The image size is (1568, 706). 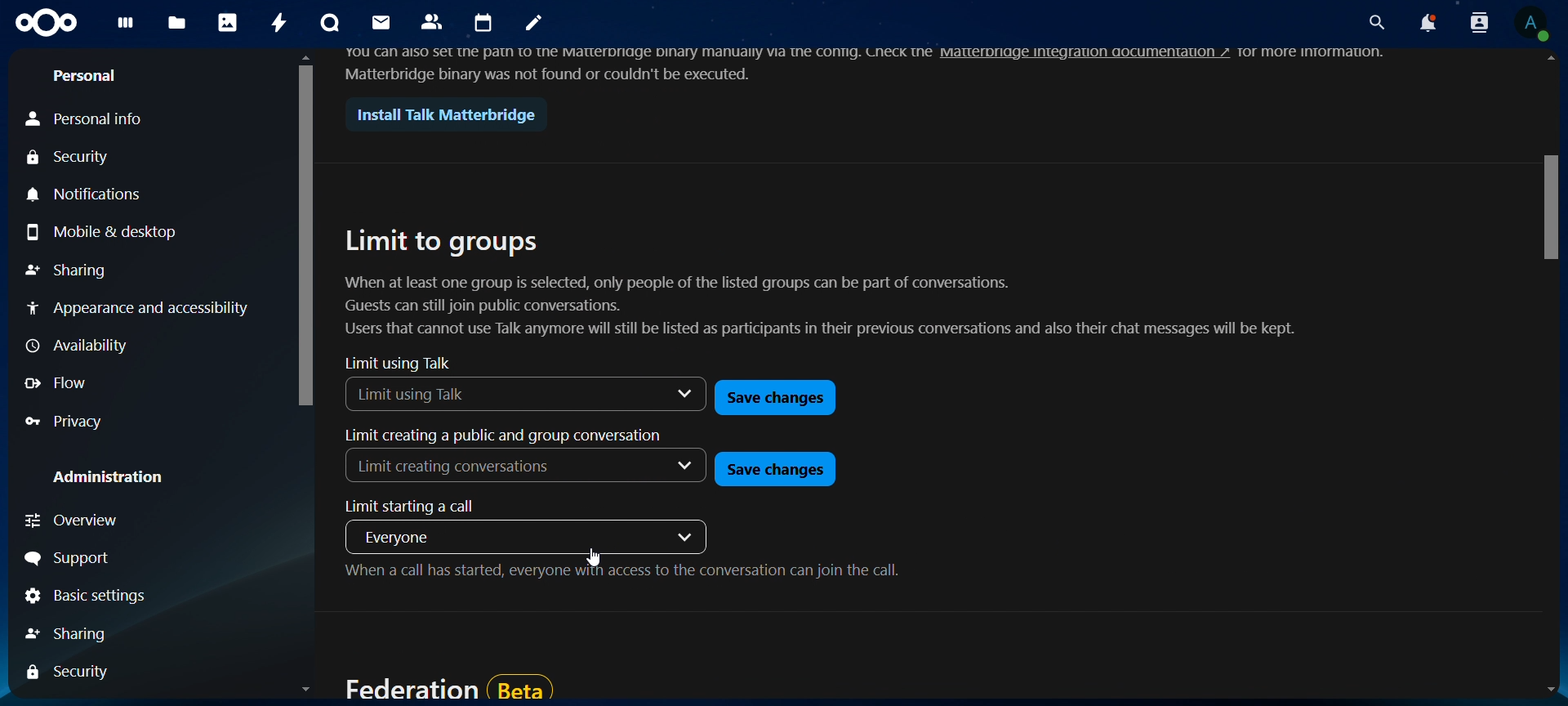 I want to click on you can also set the path to the matterbridge binary manually via the config , check the, so click(x=629, y=54).